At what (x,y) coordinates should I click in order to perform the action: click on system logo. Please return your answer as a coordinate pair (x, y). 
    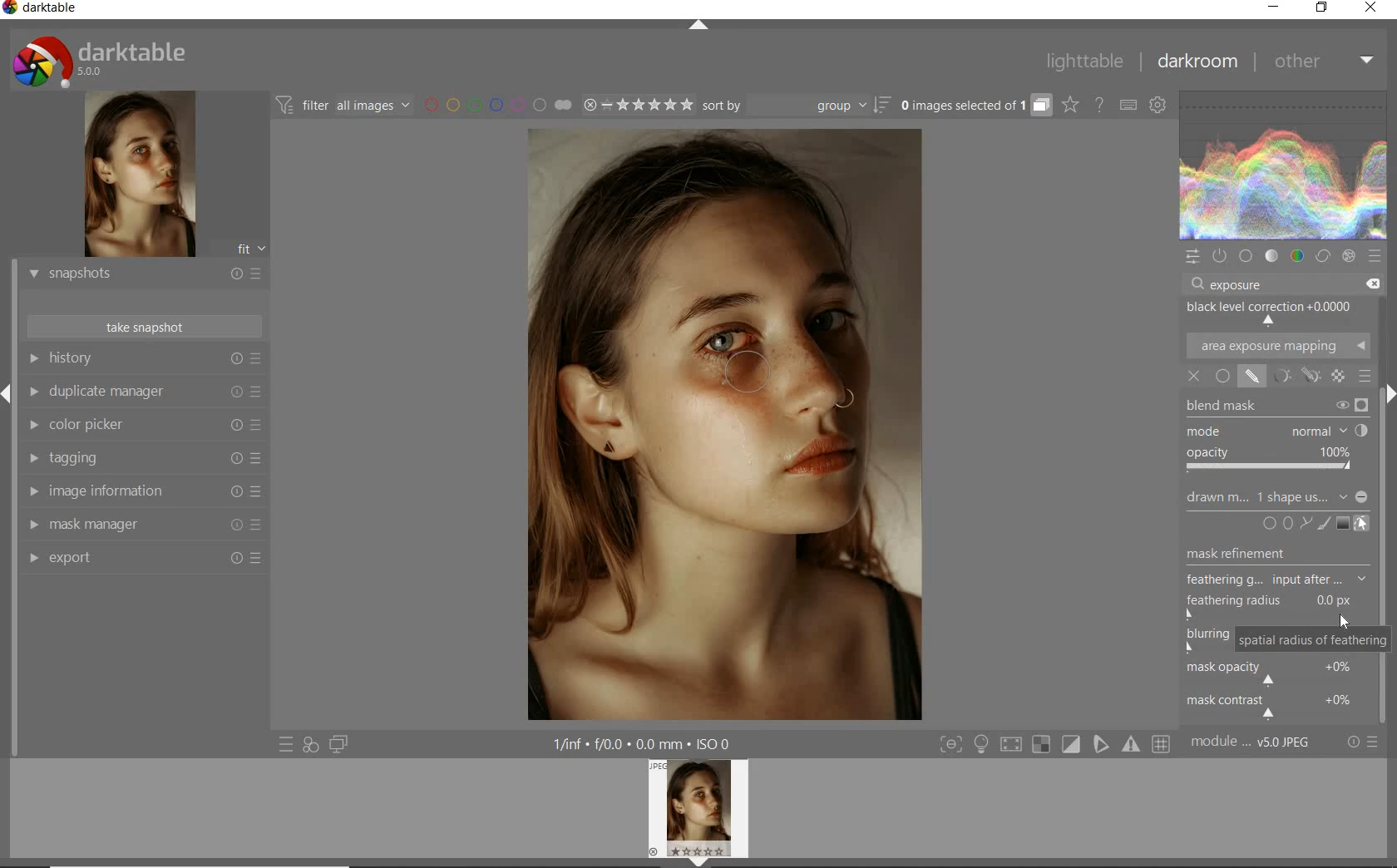
    Looking at the image, I should click on (108, 59).